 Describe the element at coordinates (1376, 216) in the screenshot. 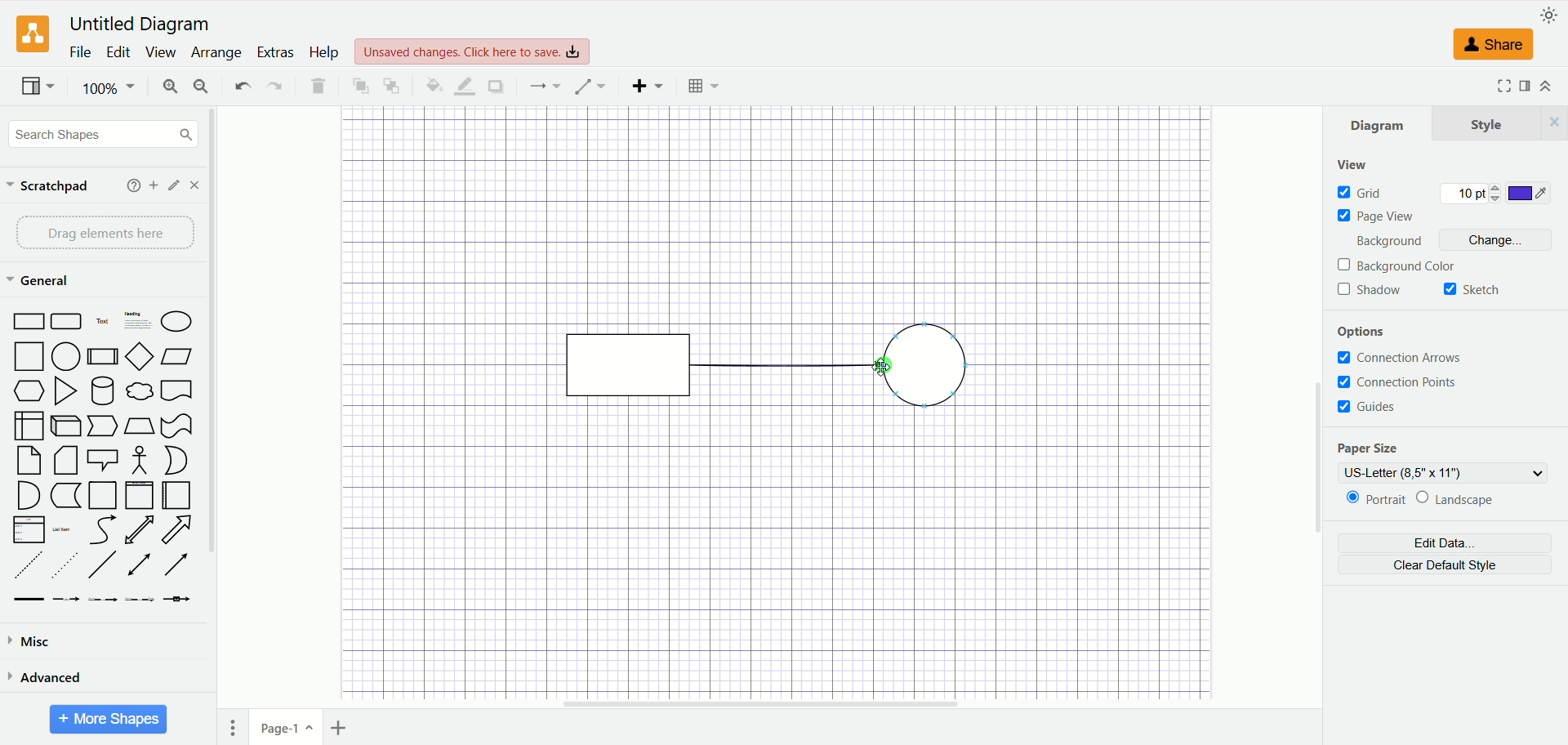

I see `page view` at that location.